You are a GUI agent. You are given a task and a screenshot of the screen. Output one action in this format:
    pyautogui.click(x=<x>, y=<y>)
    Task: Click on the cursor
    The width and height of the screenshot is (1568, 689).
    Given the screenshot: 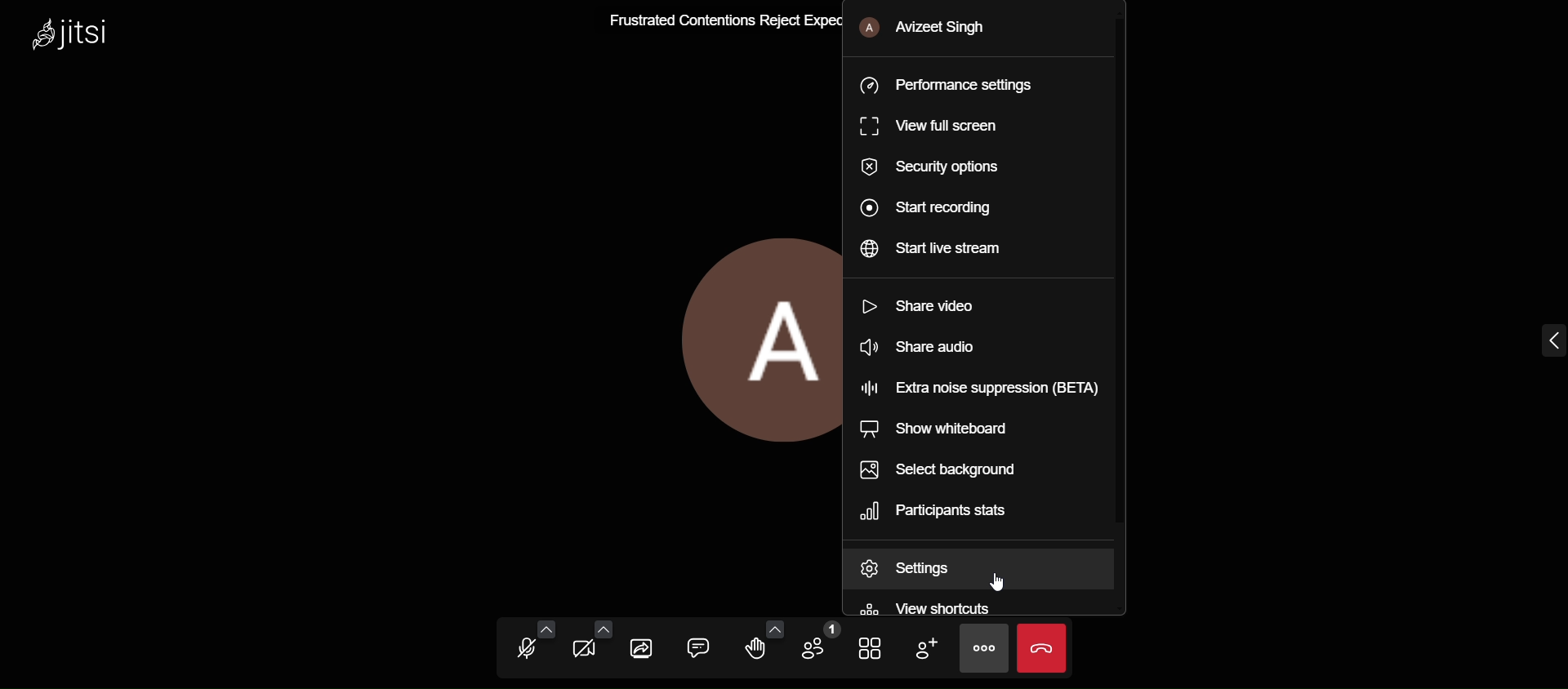 What is the action you would take?
    pyautogui.click(x=1008, y=580)
    